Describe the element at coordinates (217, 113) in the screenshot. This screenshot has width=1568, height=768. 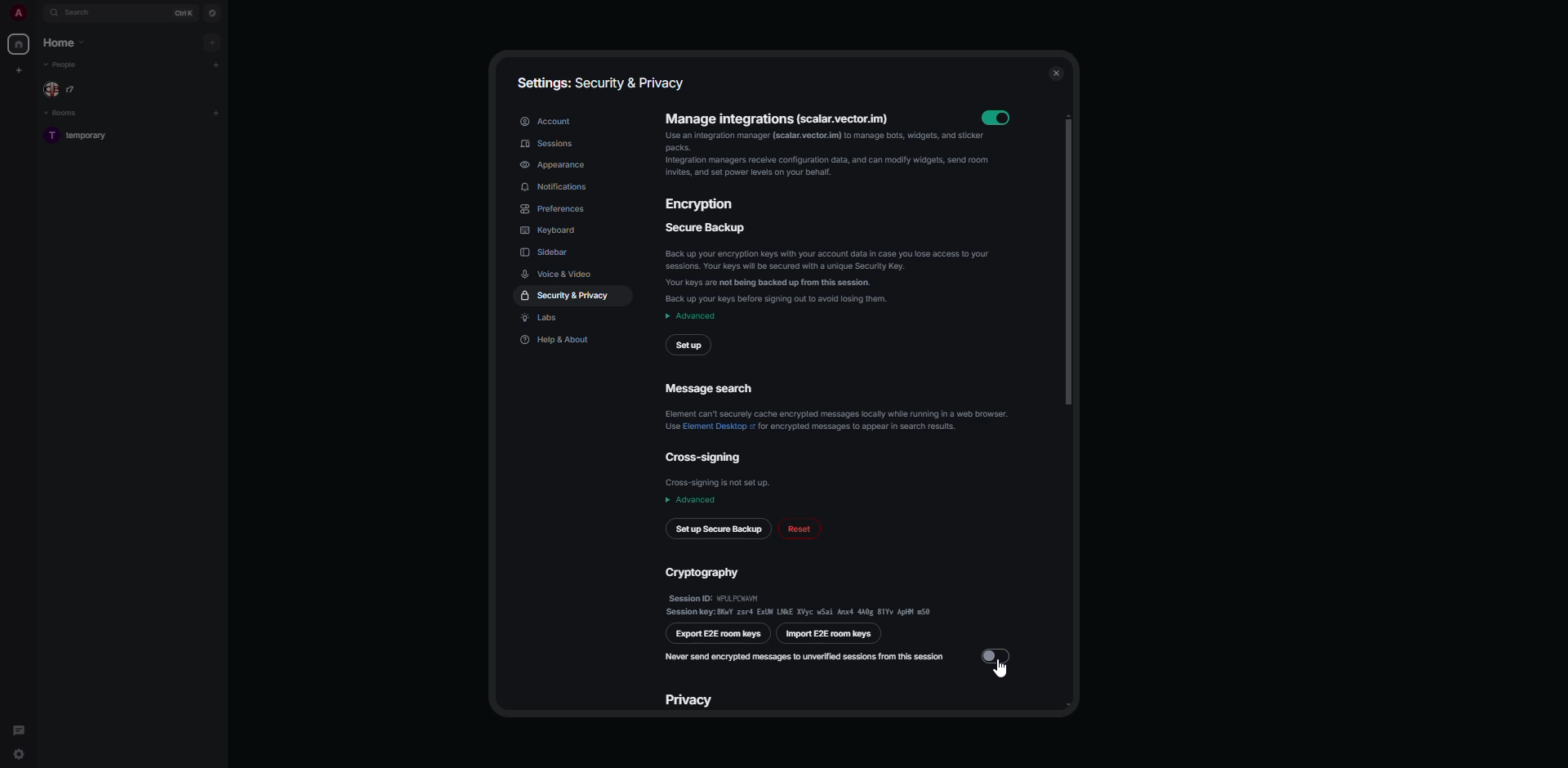
I see `add` at that location.